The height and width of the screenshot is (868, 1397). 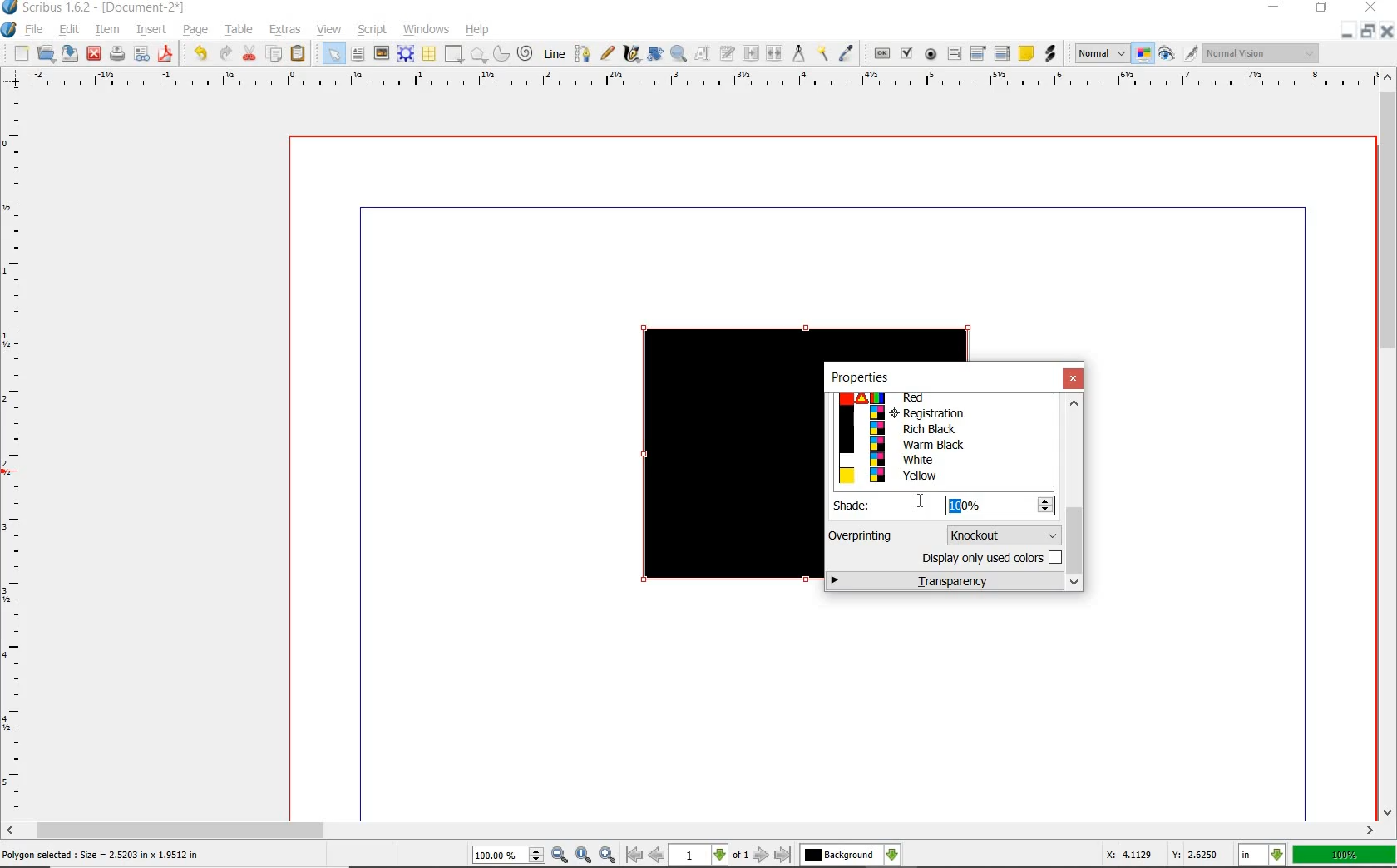 I want to click on preview mode, so click(x=1167, y=56).